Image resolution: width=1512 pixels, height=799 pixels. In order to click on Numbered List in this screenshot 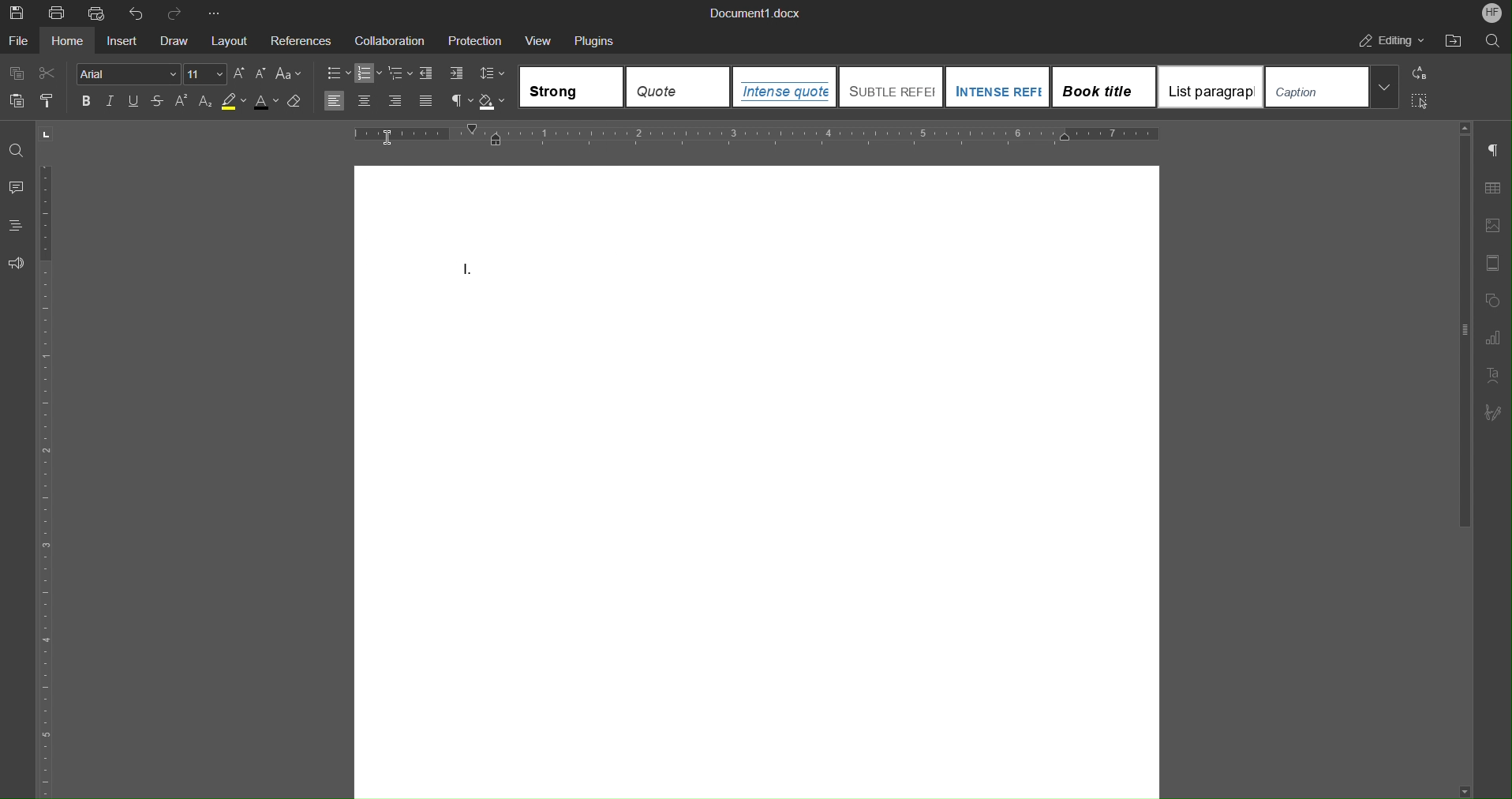, I will do `click(369, 73)`.